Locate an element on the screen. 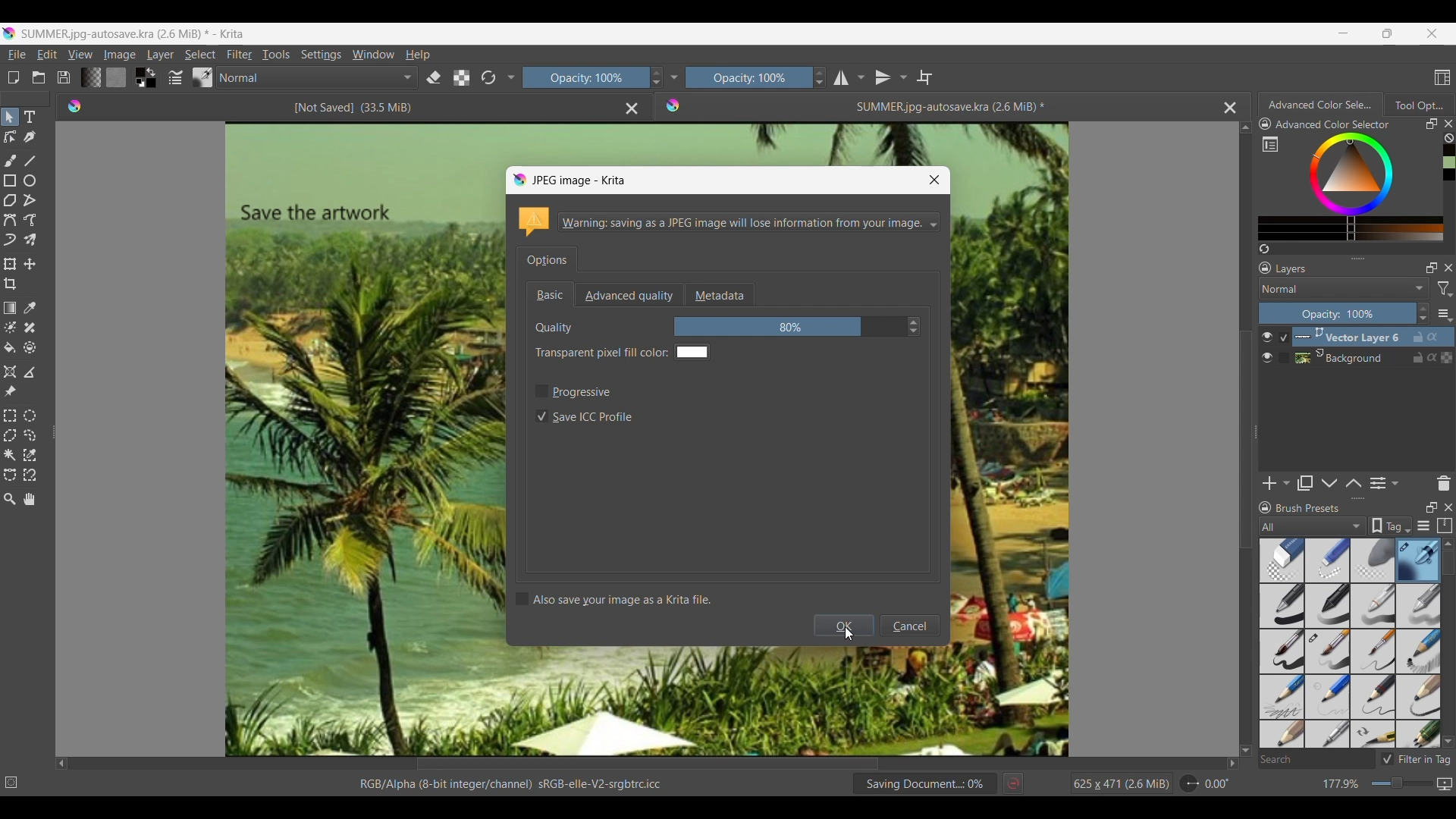 The width and height of the screenshot is (1456, 819). Close panel is located at coordinates (1448, 507).